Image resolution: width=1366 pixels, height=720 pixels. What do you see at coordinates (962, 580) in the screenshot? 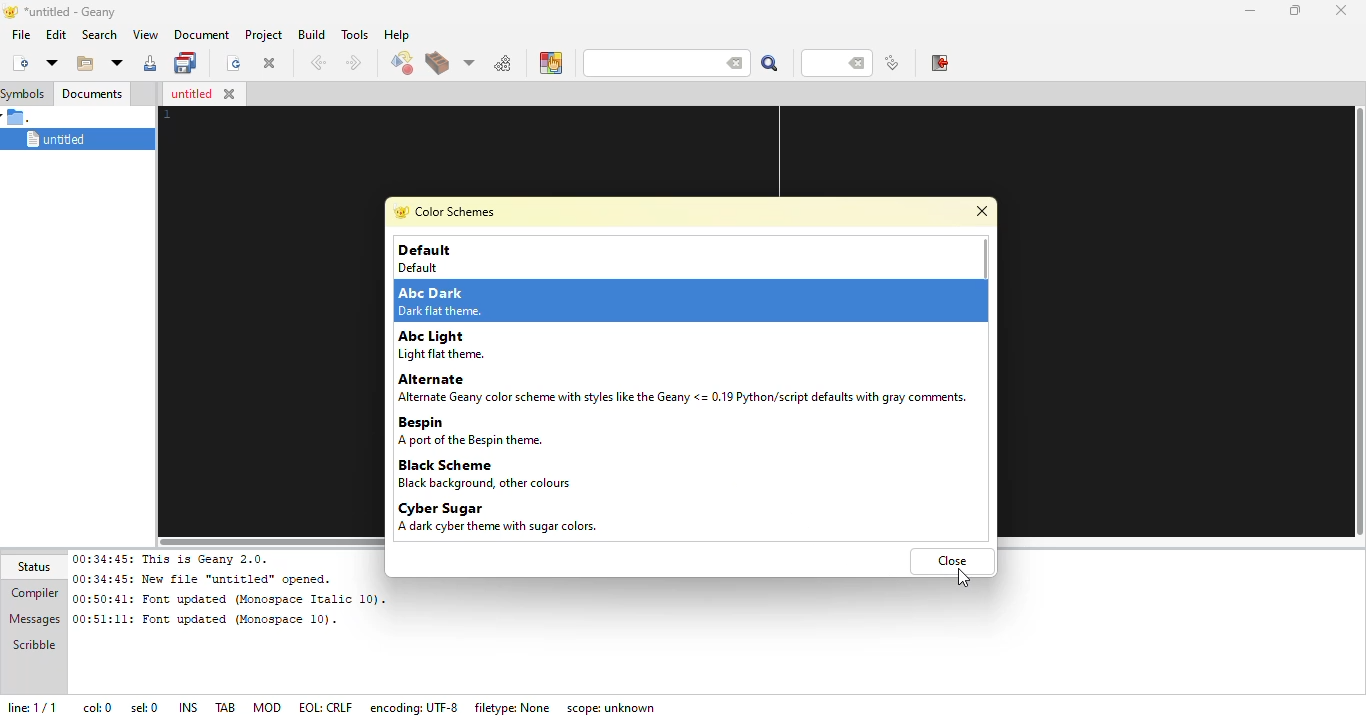
I see `cursor` at bounding box center [962, 580].